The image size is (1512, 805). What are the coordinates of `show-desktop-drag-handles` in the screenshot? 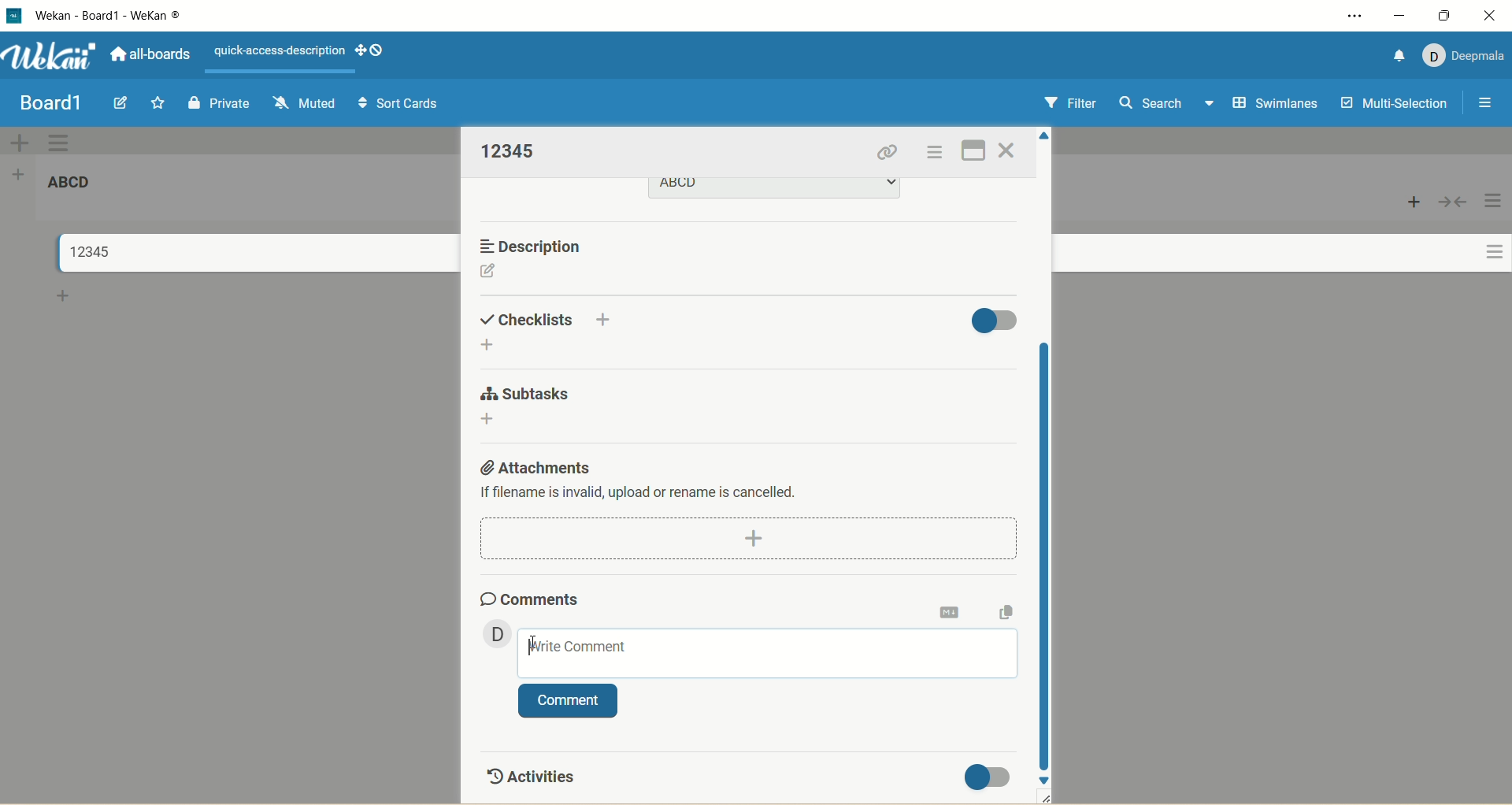 It's located at (357, 48).